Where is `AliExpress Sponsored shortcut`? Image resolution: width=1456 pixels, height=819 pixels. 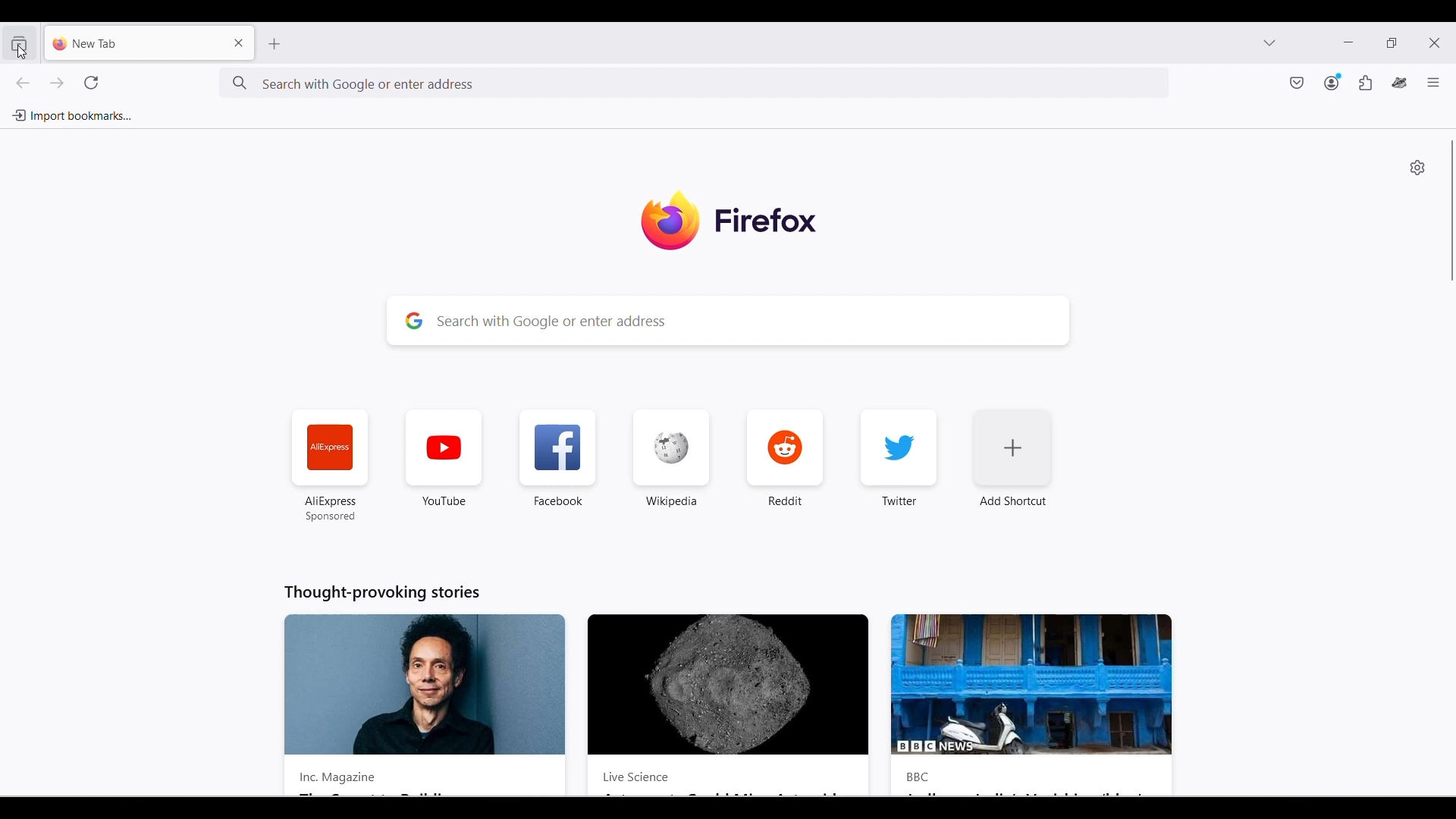
AliExpress Sponsored shortcut is located at coordinates (331, 466).